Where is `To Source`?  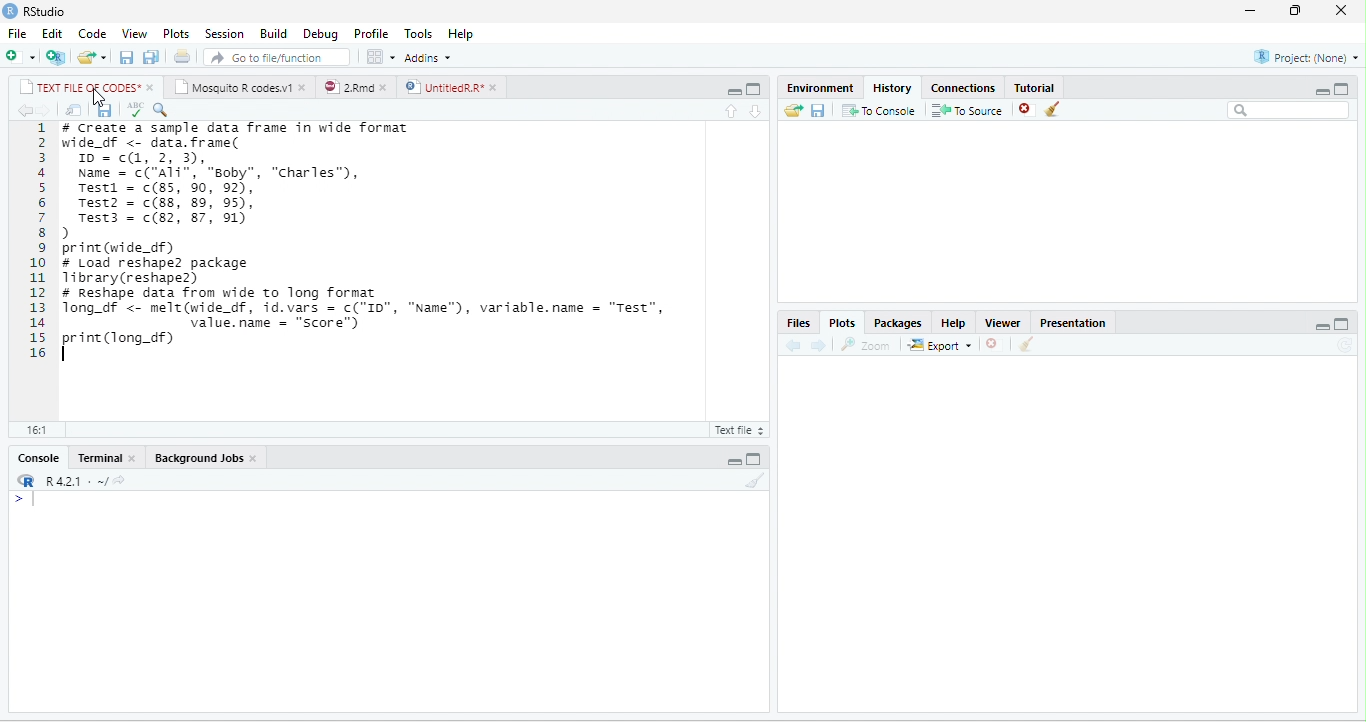 To Source is located at coordinates (968, 109).